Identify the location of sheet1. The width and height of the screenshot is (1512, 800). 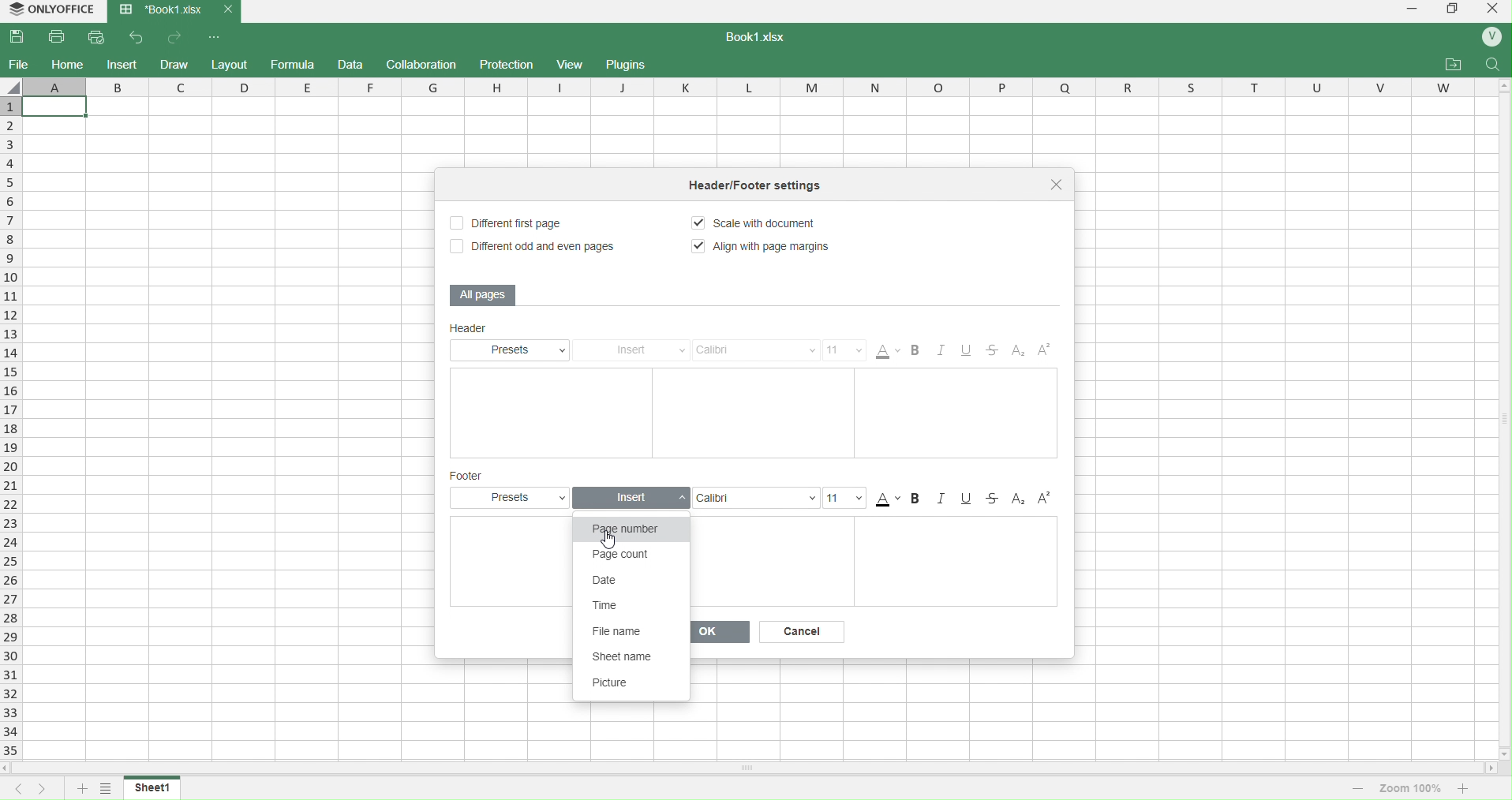
(154, 787).